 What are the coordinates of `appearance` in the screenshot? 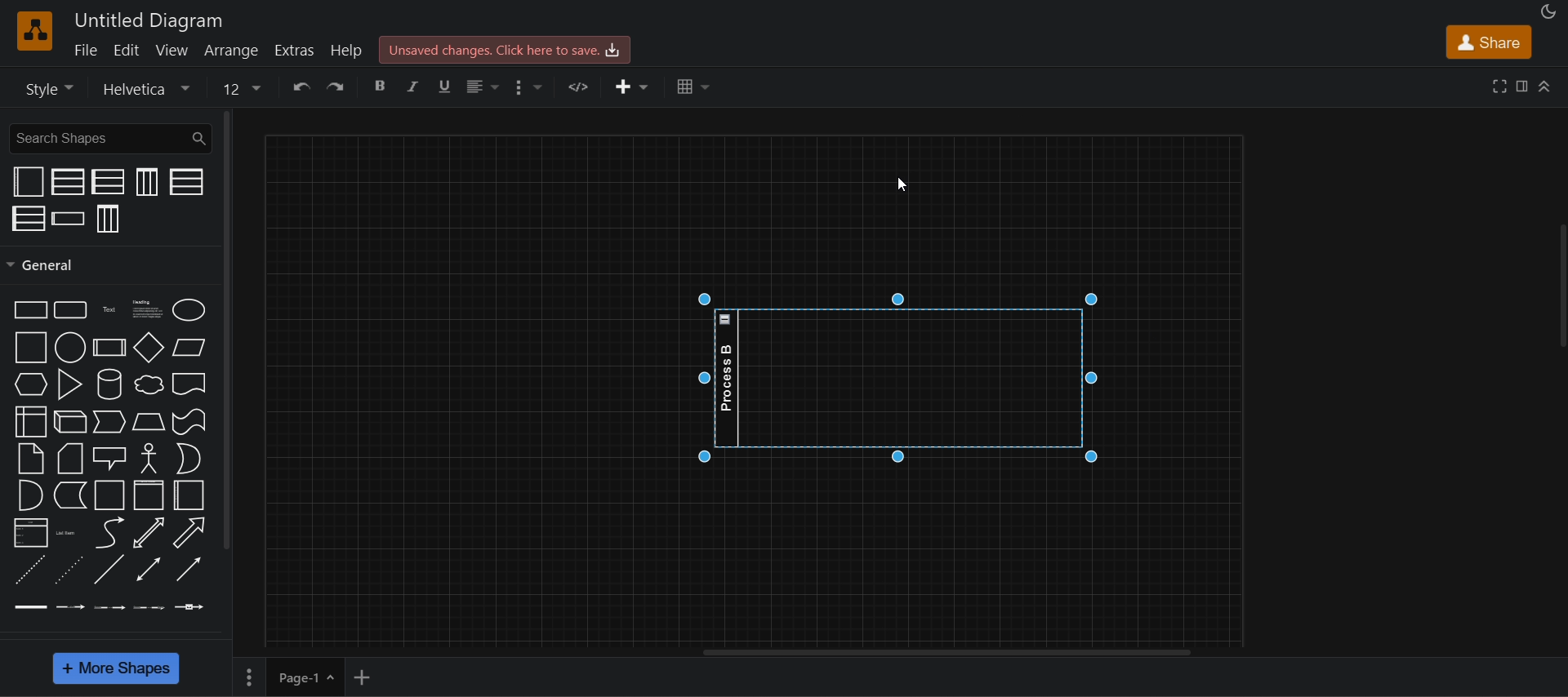 It's located at (1546, 11).